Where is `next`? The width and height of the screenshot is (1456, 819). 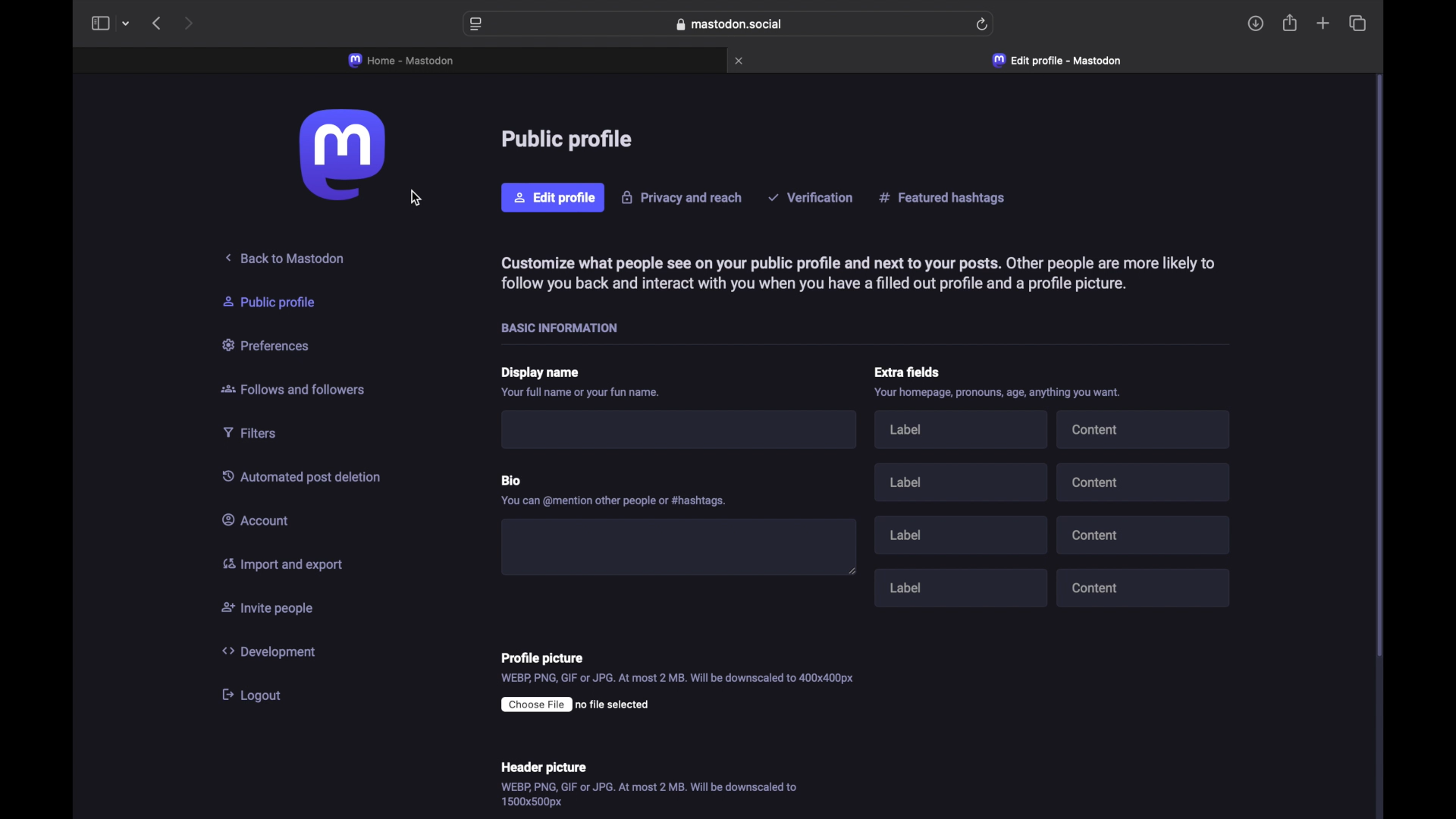 next is located at coordinates (188, 23).